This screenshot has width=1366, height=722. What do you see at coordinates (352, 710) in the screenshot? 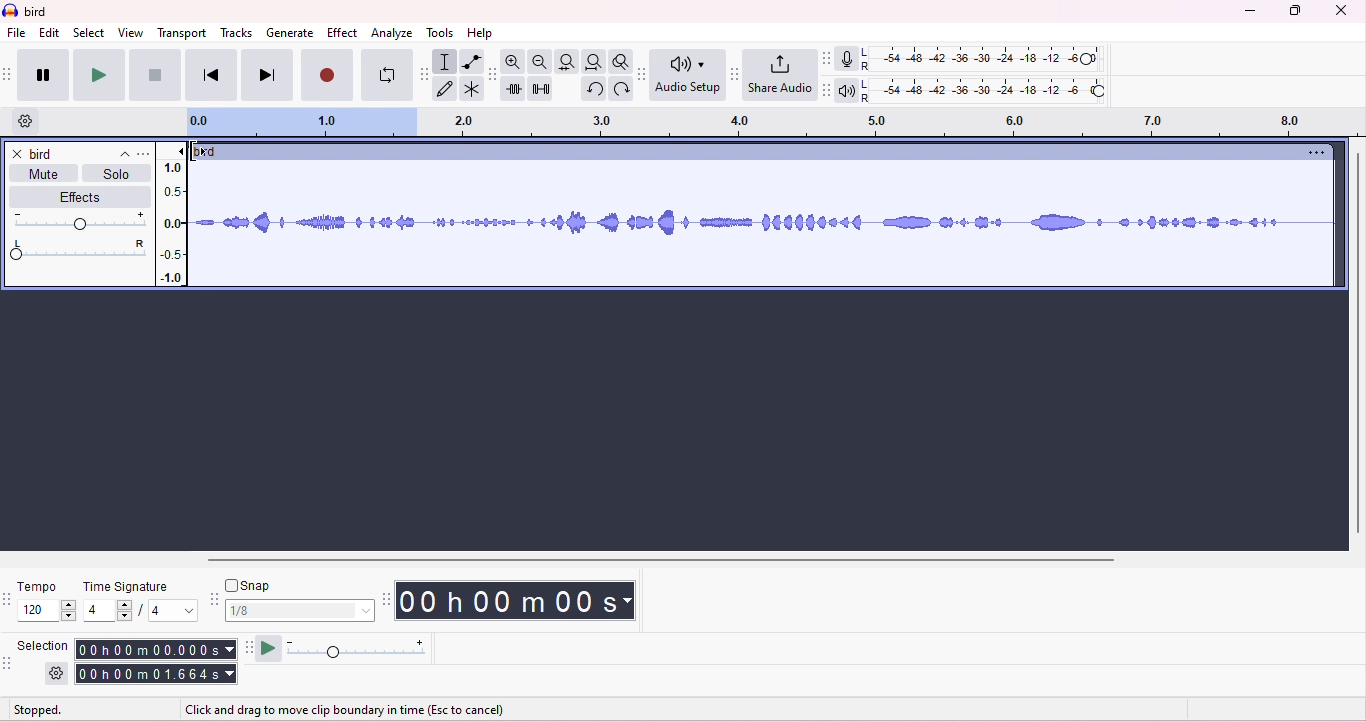
I see `click and drag to move clip boundary in time (Esc to cancel)` at bounding box center [352, 710].